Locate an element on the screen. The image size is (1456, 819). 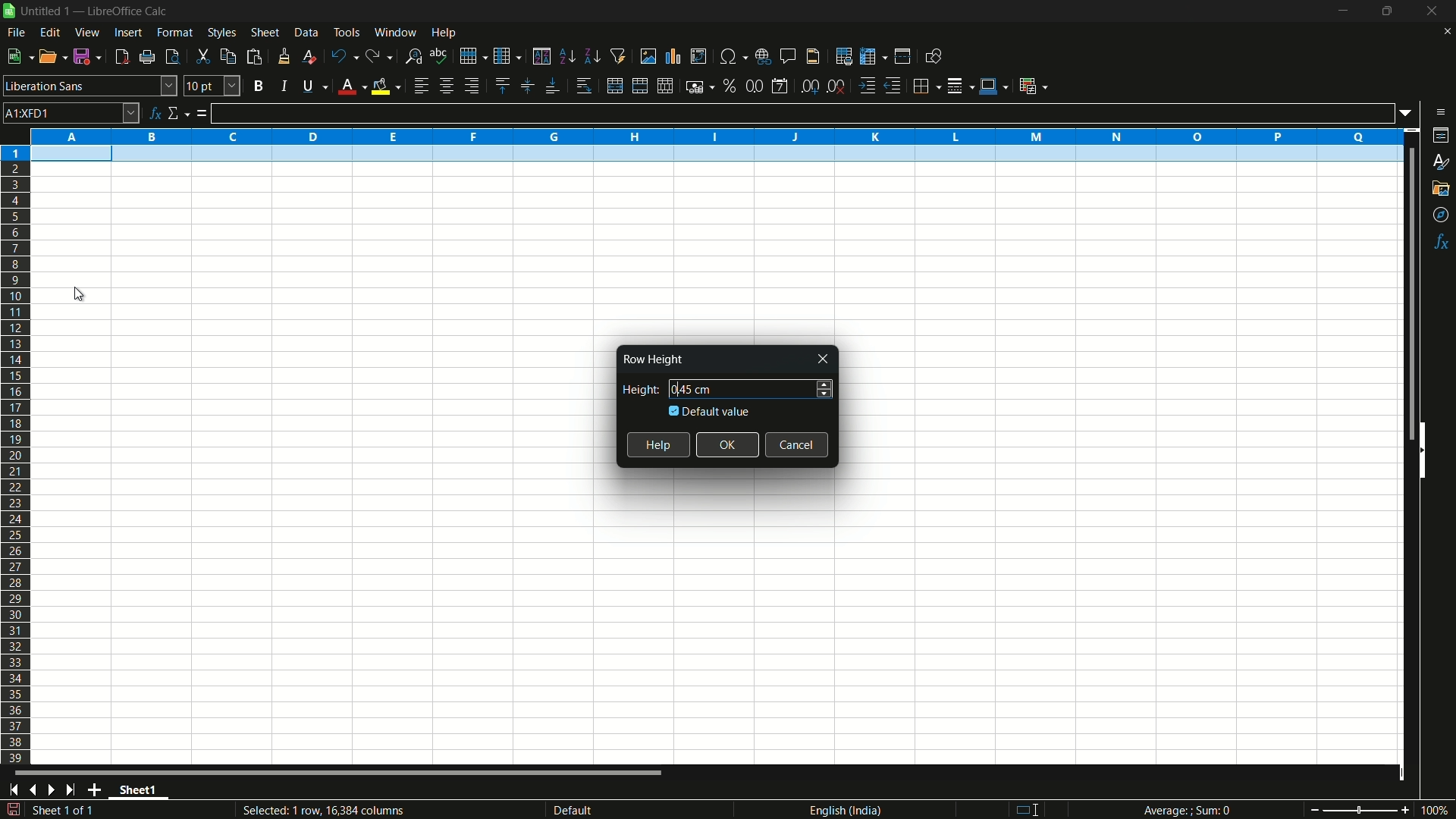
file menu is located at coordinates (16, 33).